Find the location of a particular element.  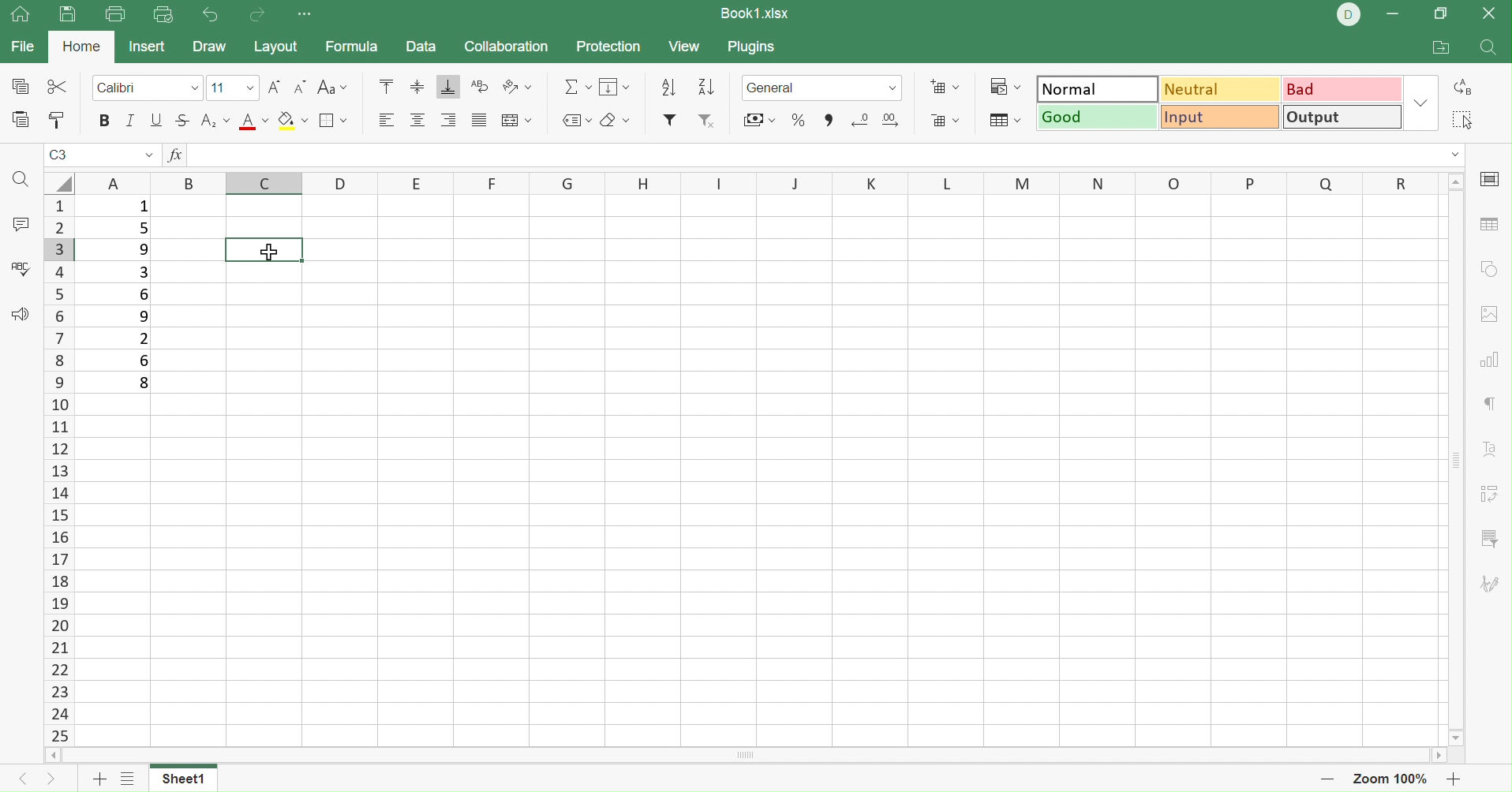

Underline is located at coordinates (156, 121).